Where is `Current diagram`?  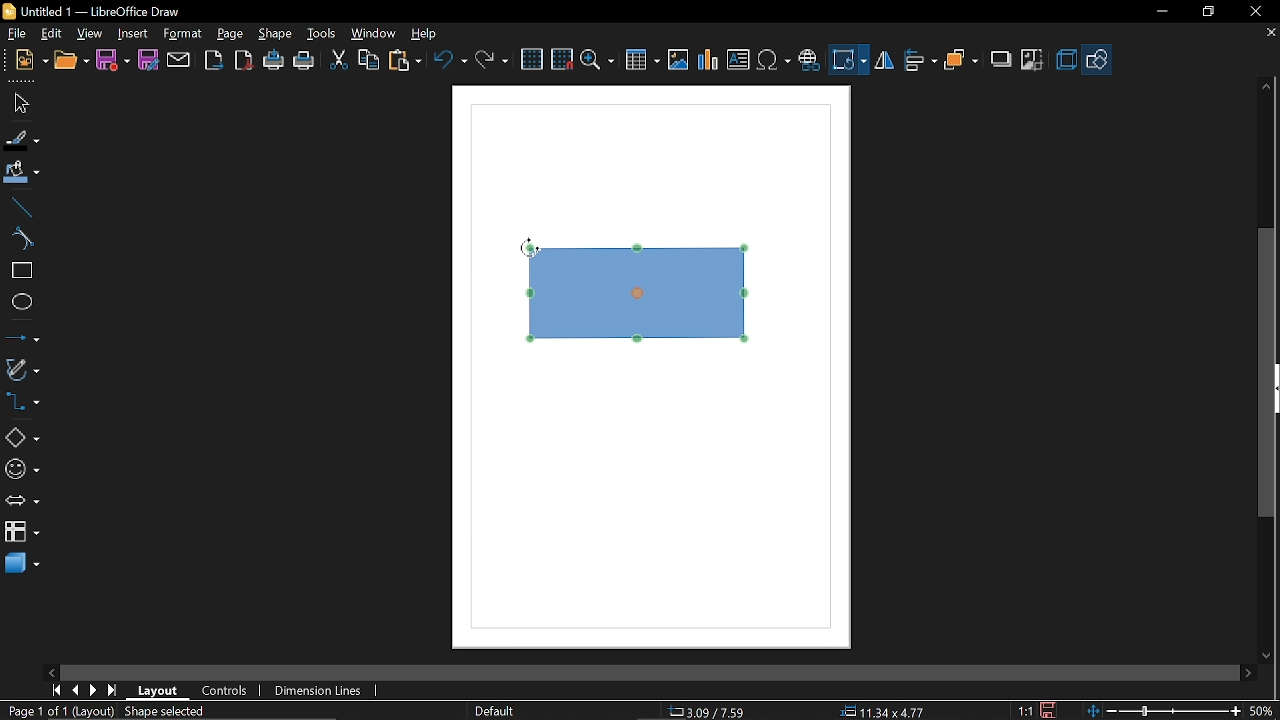
Current diagram is located at coordinates (645, 297).